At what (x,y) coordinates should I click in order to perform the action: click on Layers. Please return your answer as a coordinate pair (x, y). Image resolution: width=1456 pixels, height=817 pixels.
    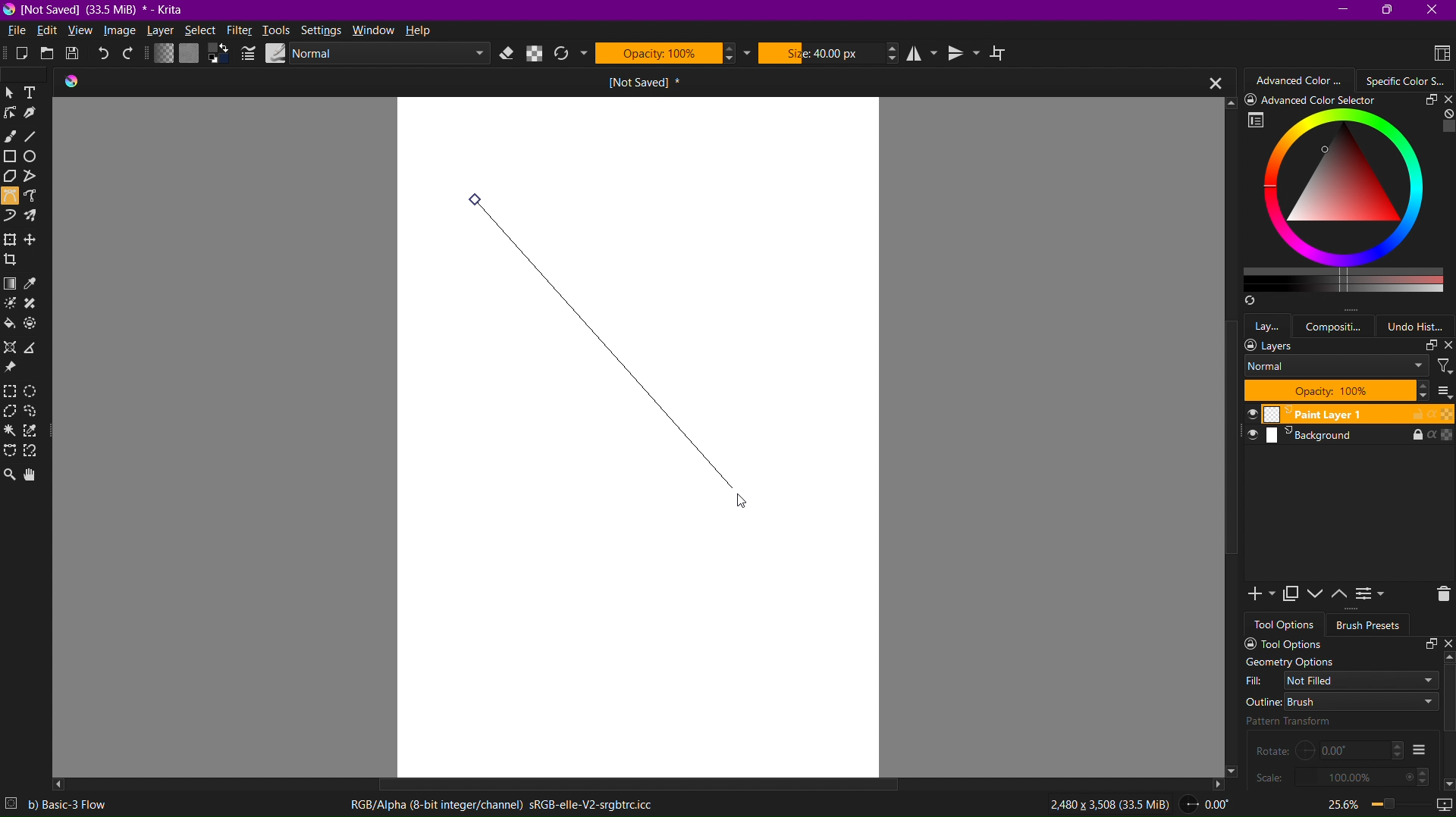
    Looking at the image, I should click on (1269, 324).